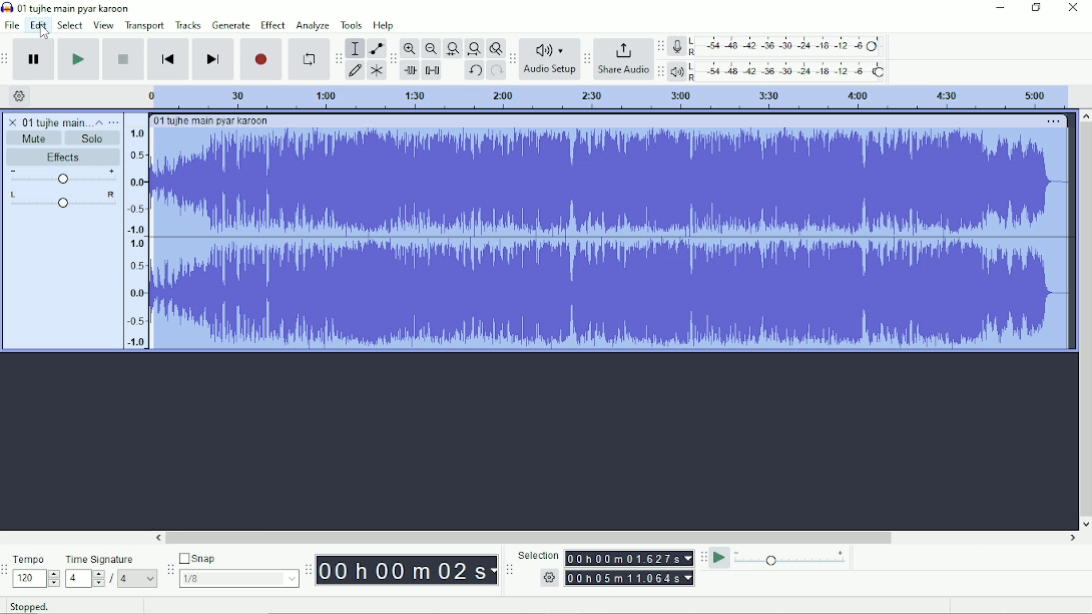  I want to click on Undo, so click(474, 71).